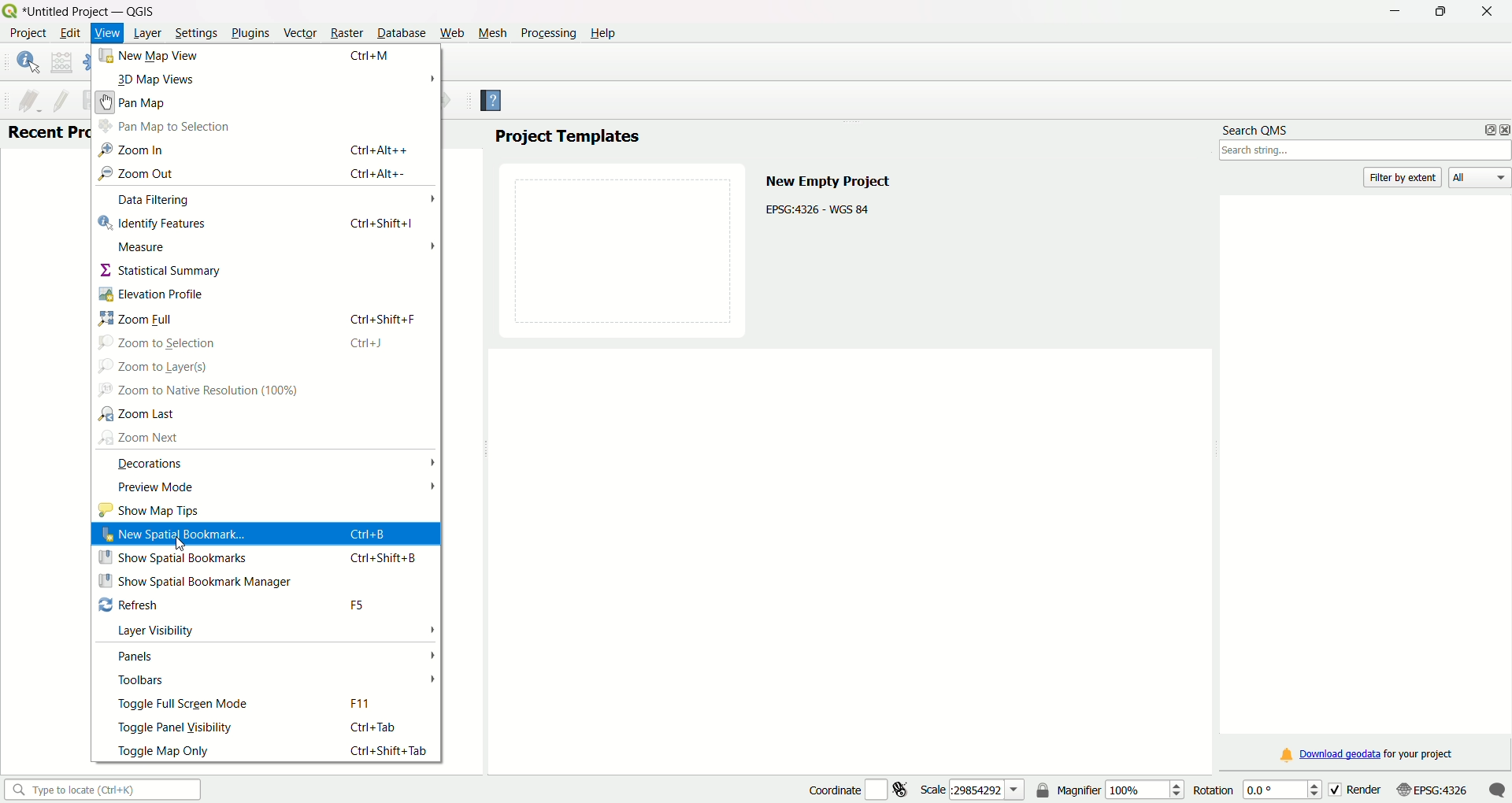 Image resolution: width=1512 pixels, height=803 pixels. I want to click on View, so click(107, 35).